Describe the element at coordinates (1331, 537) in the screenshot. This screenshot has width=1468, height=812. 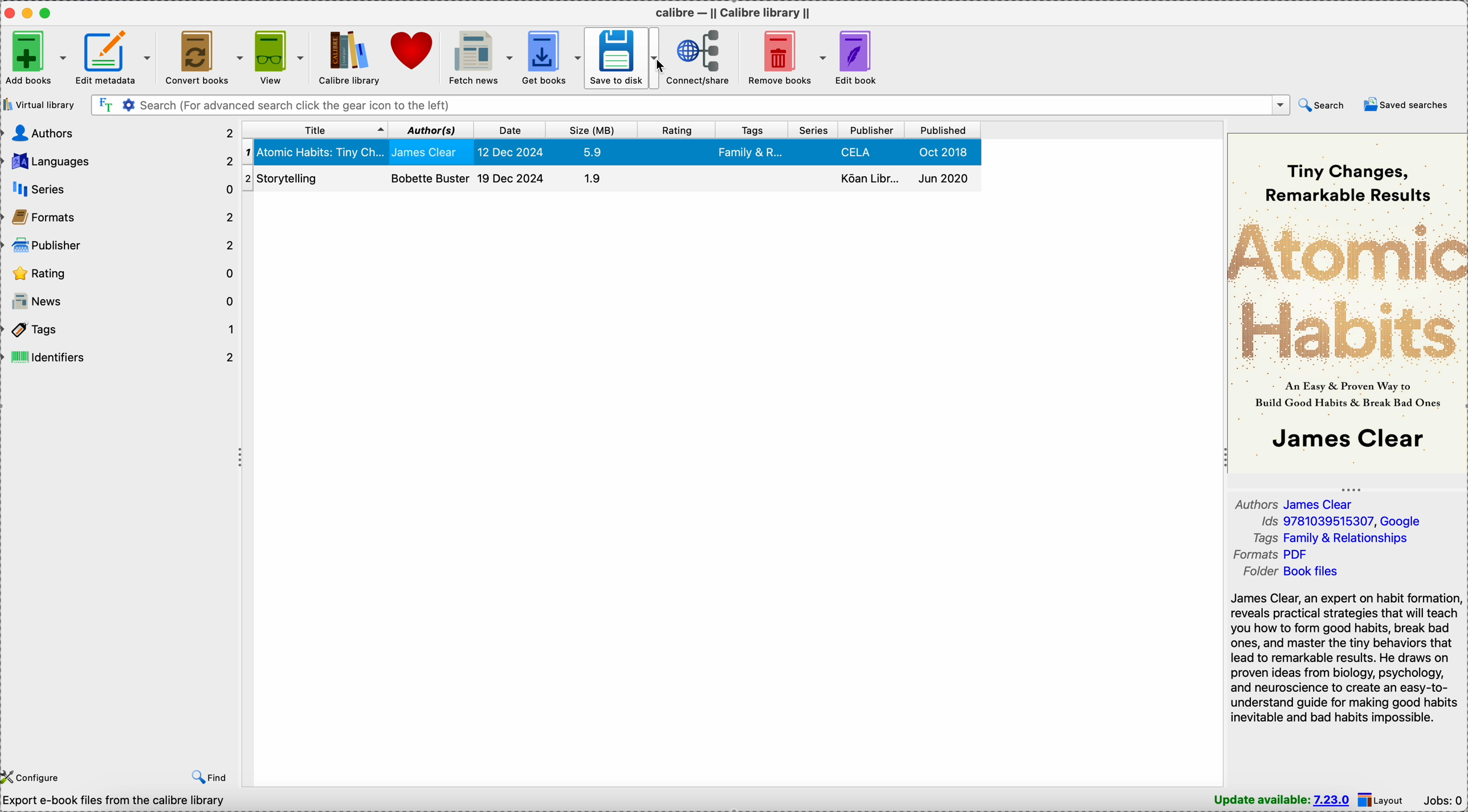
I see `tags Family & Relationships` at that location.